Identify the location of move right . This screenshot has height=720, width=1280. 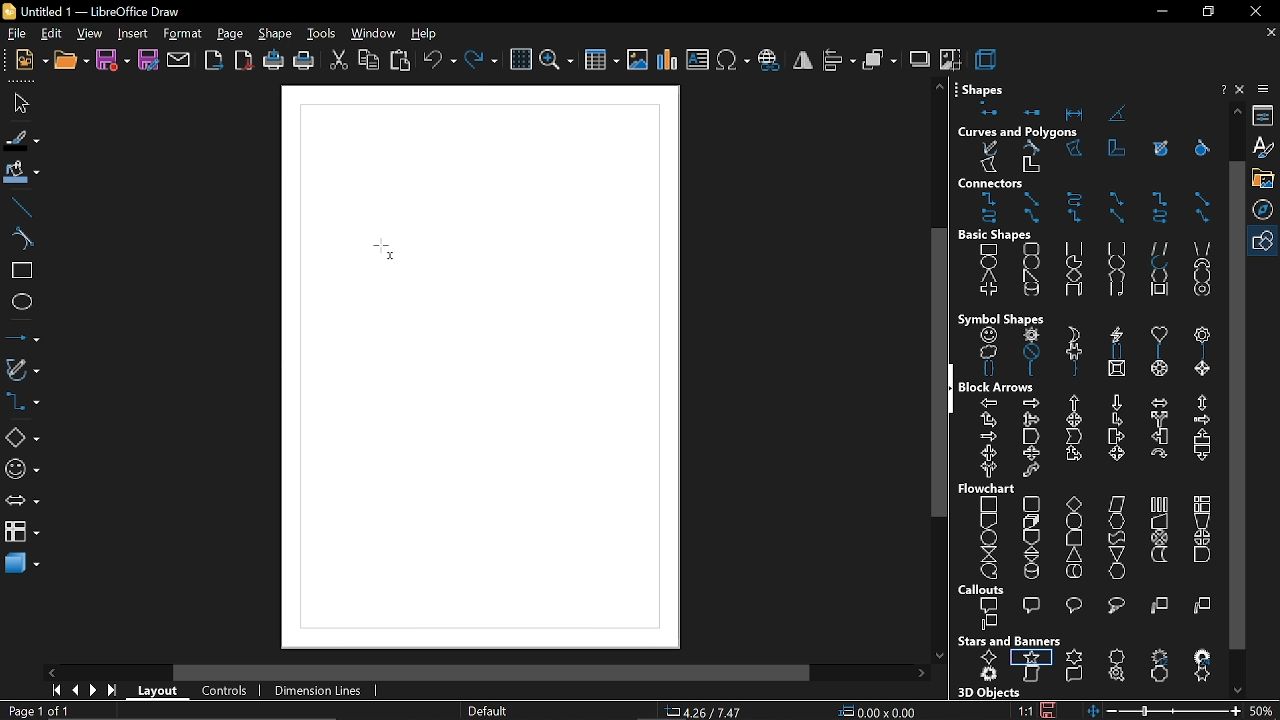
(925, 673).